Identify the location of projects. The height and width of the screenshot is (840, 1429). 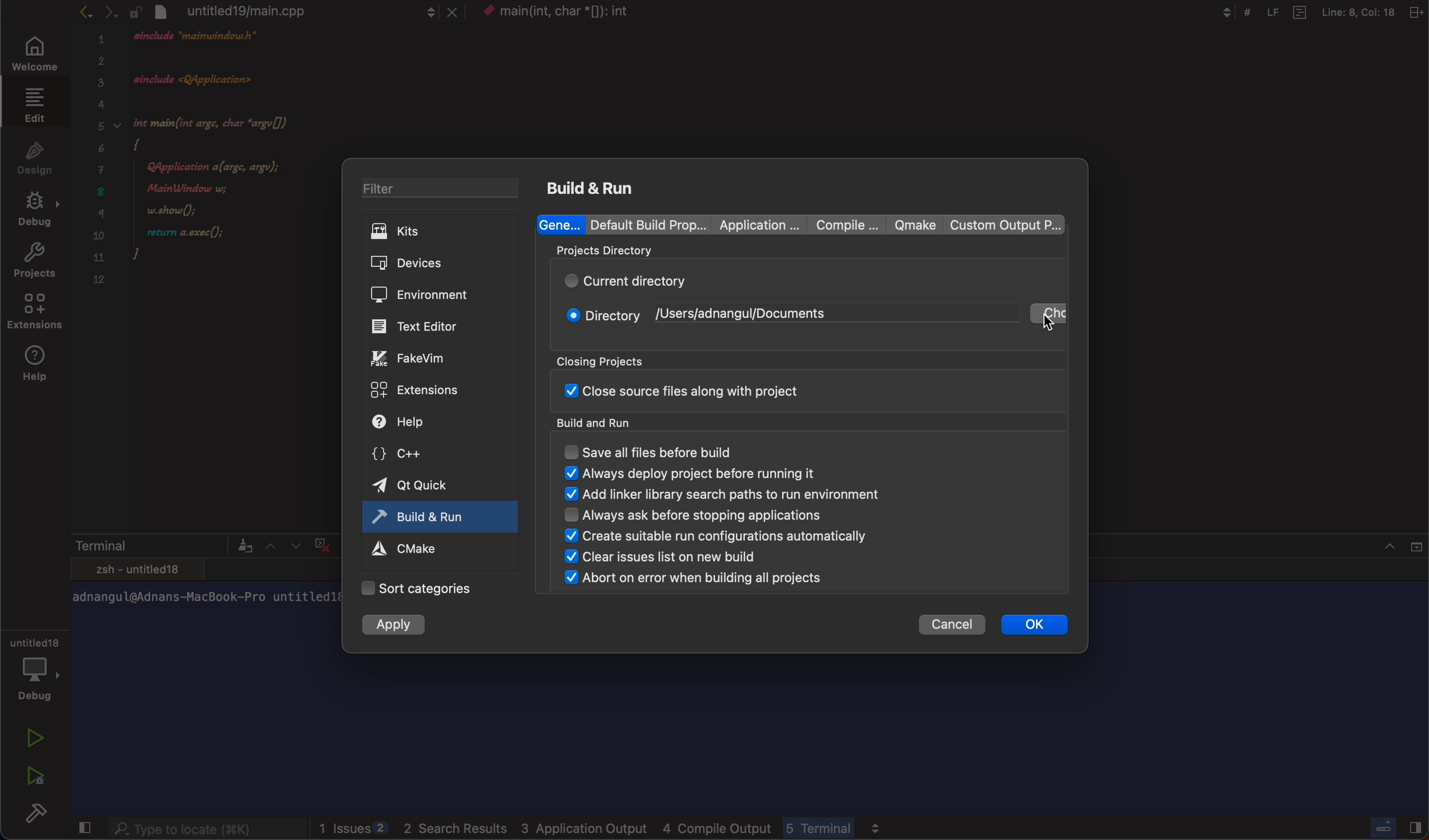
(32, 258).